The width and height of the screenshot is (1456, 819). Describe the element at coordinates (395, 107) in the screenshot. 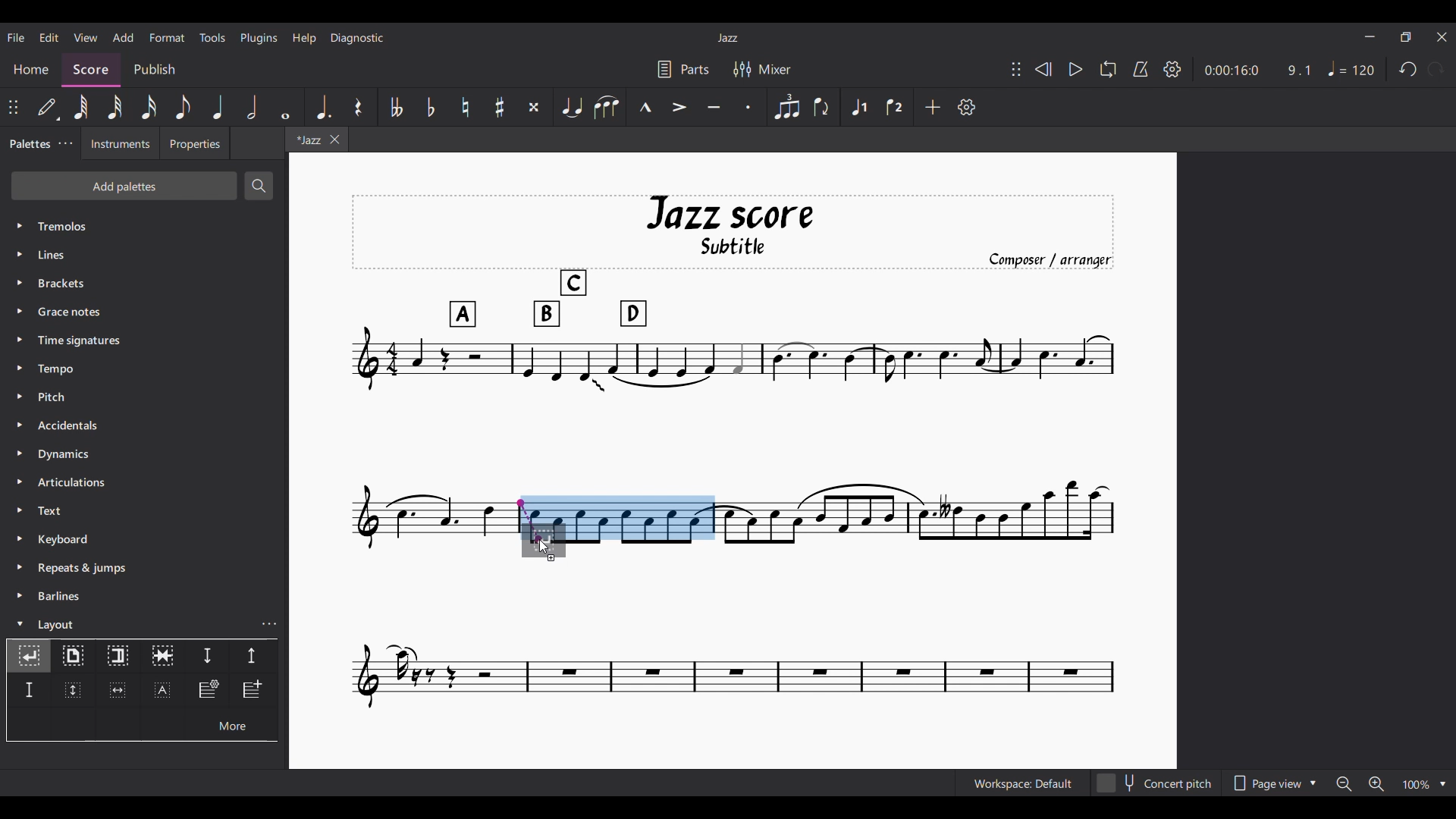

I see `Toggle double flat` at that location.